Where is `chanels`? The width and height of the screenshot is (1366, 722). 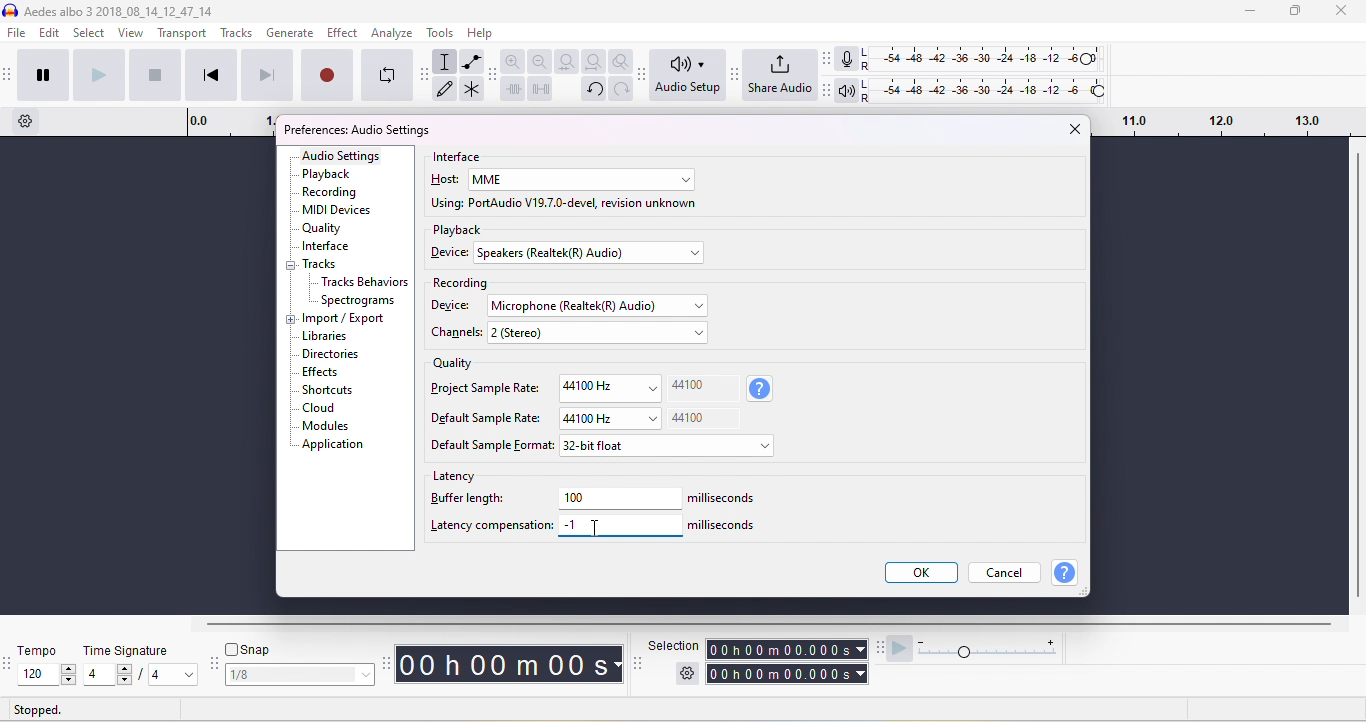
chanels is located at coordinates (459, 333).